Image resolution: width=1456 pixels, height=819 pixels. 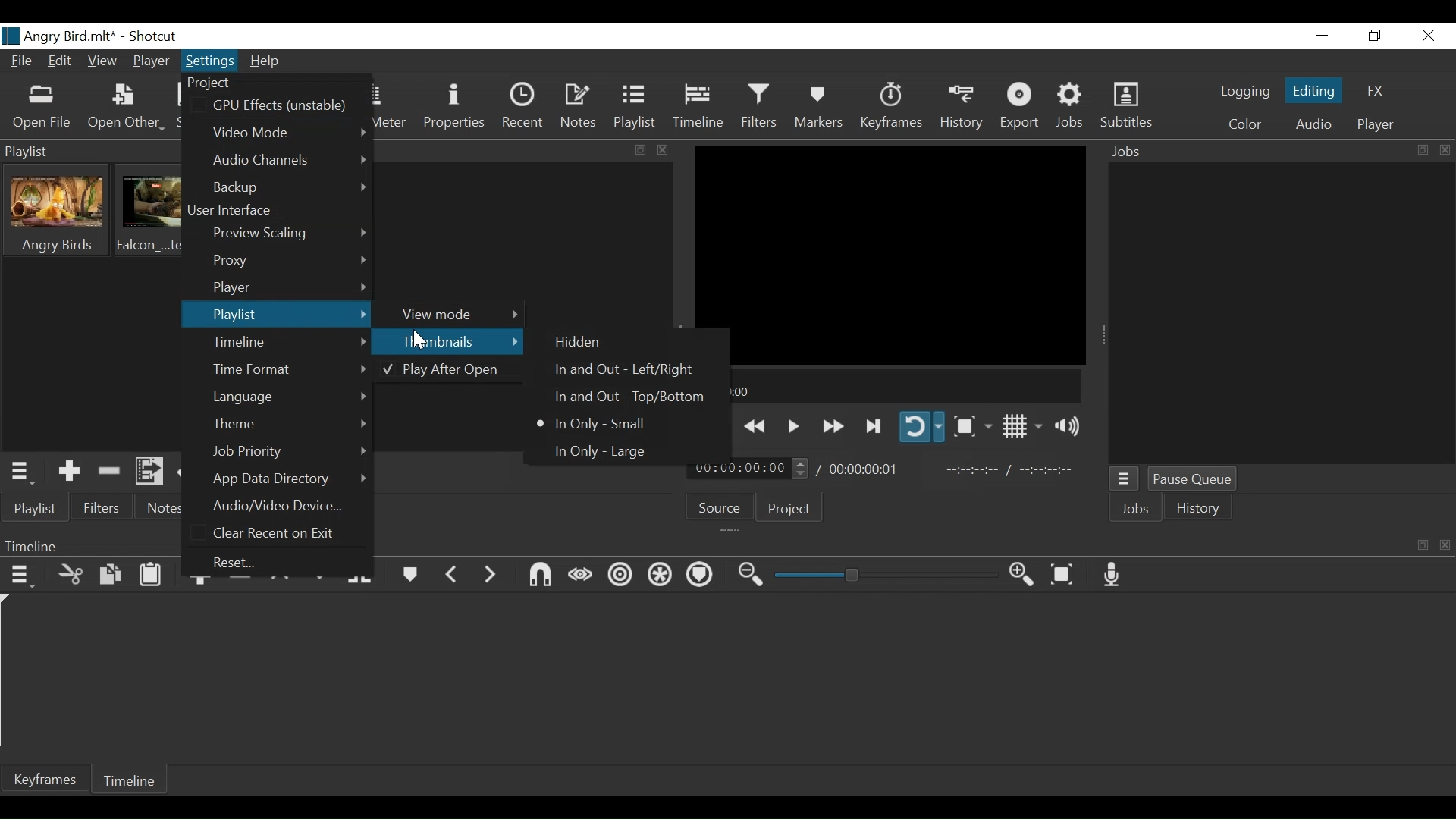 What do you see at coordinates (129, 778) in the screenshot?
I see `Timeline` at bounding box center [129, 778].